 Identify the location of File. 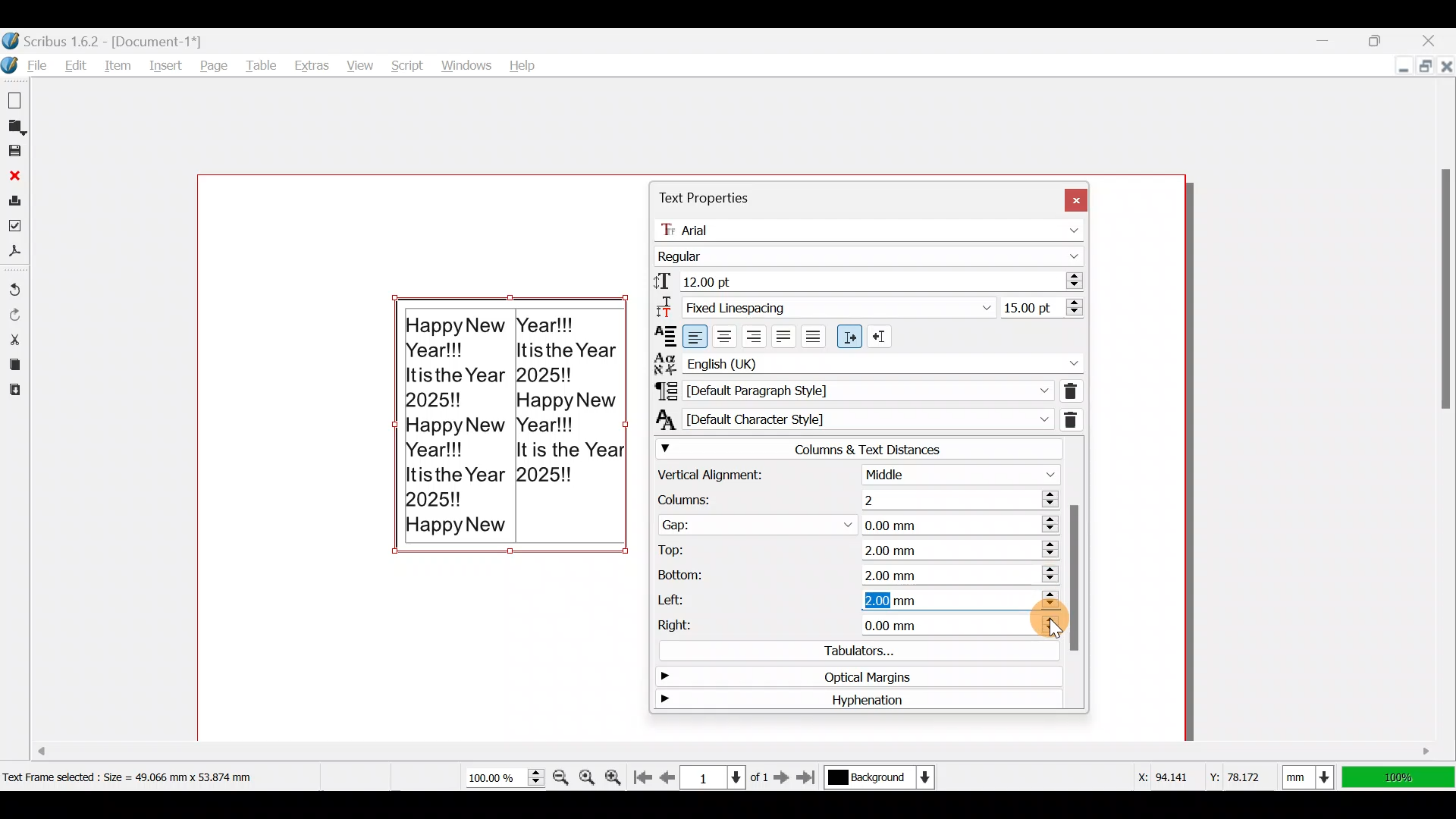
(28, 65).